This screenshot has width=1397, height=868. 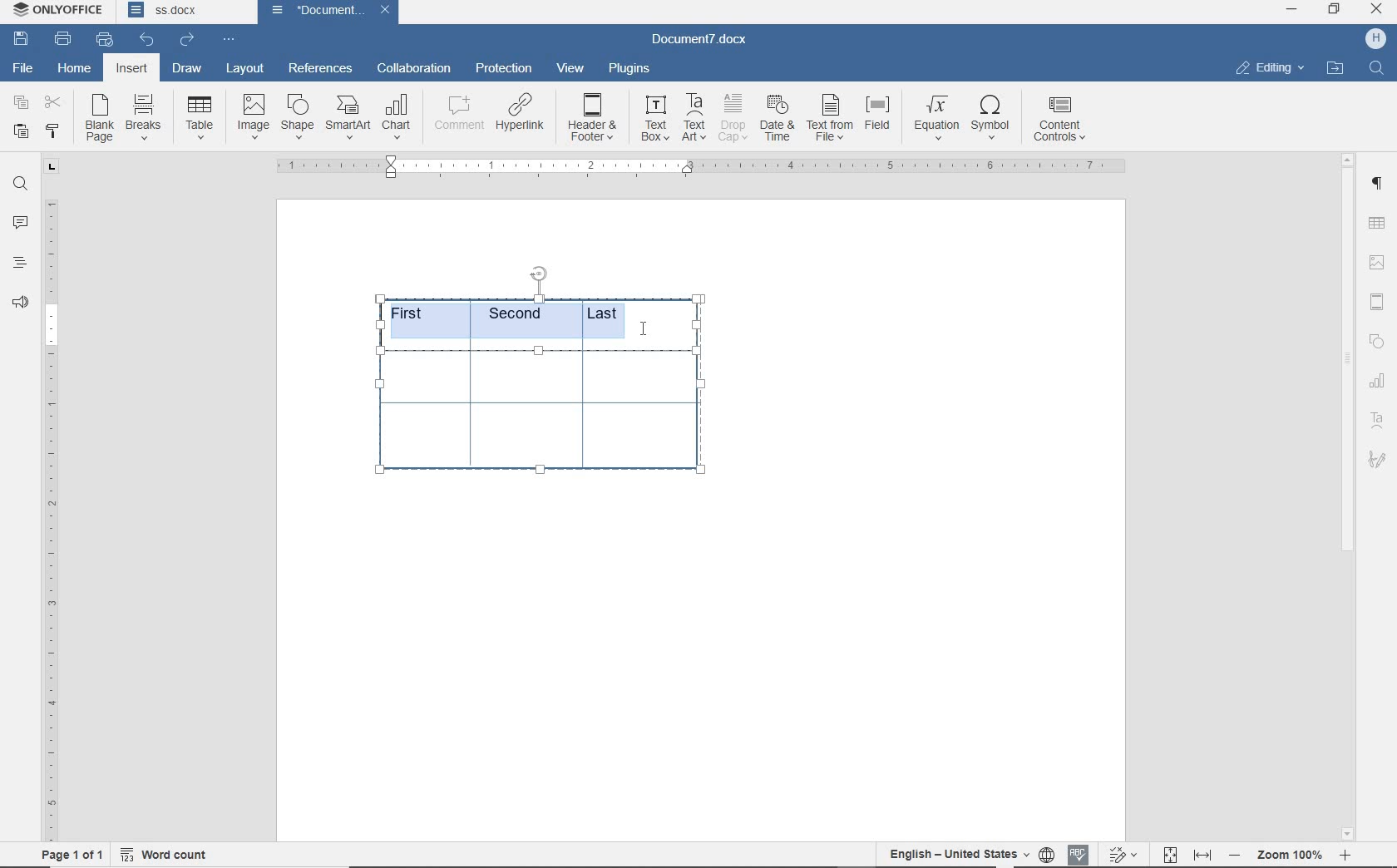 What do you see at coordinates (1063, 121) in the screenshot?
I see `content controls` at bounding box center [1063, 121].